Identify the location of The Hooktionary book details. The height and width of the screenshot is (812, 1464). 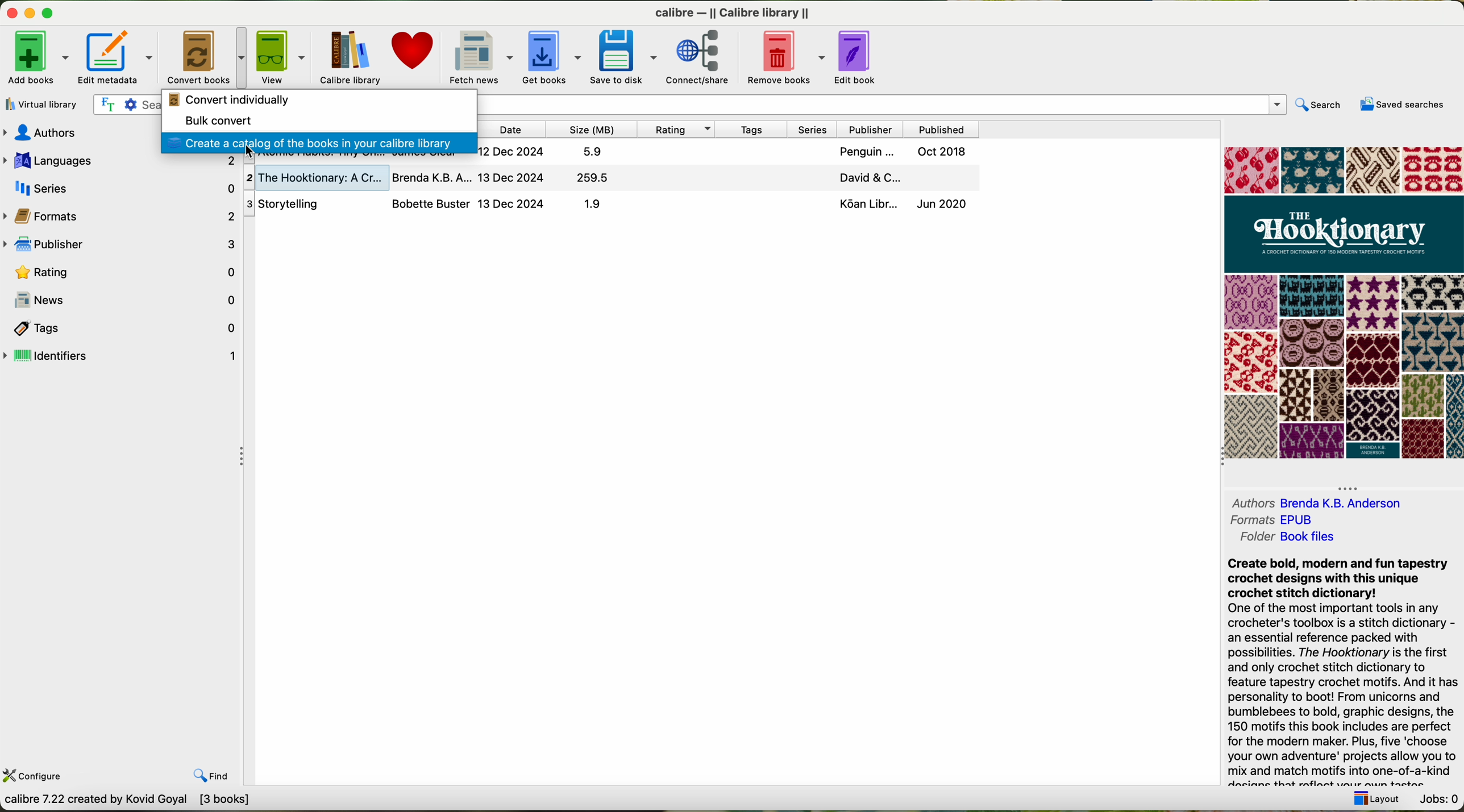
(608, 177).